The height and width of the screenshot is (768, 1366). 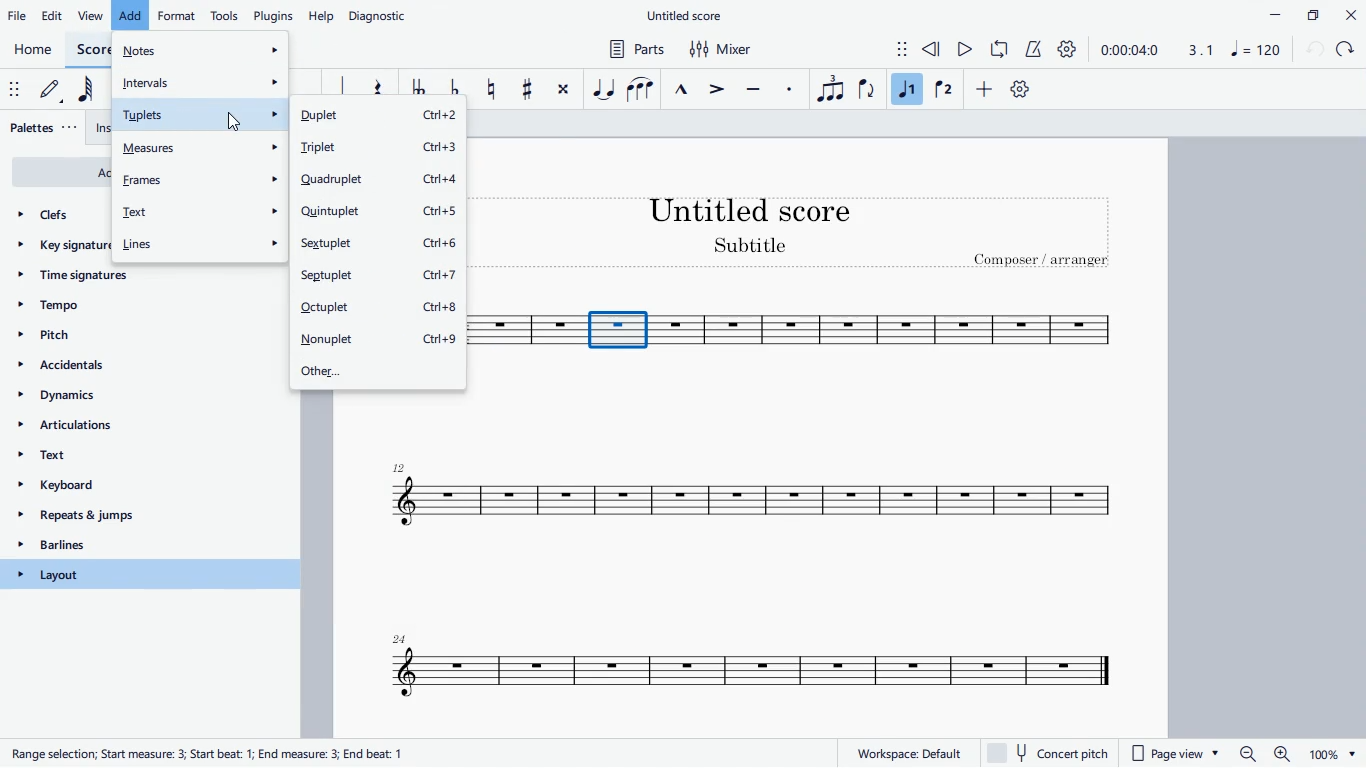 I want to click on staccato, so click(x=791, y=89).